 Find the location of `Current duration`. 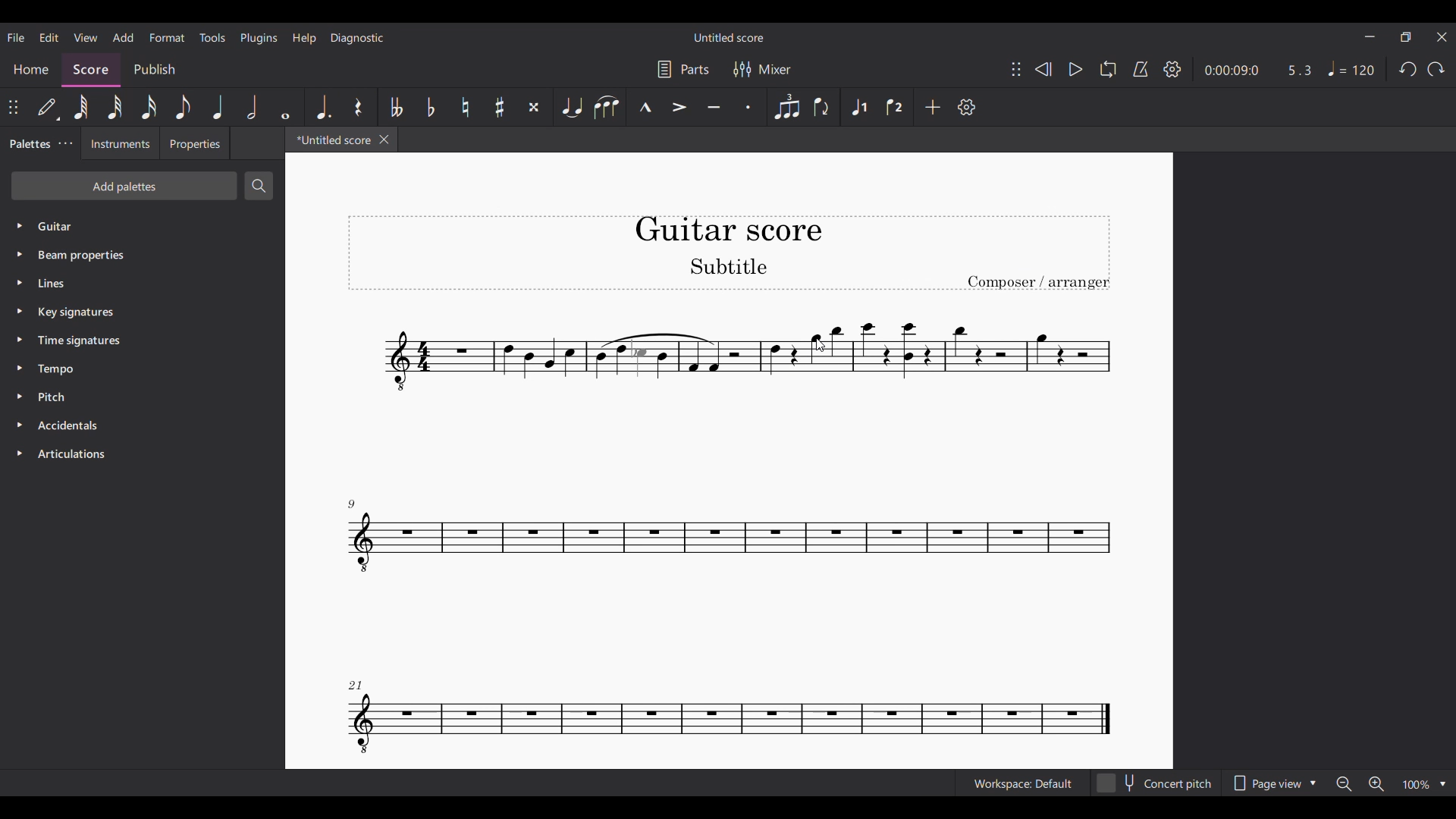

Current duration is located at coordinates (1232, 69).